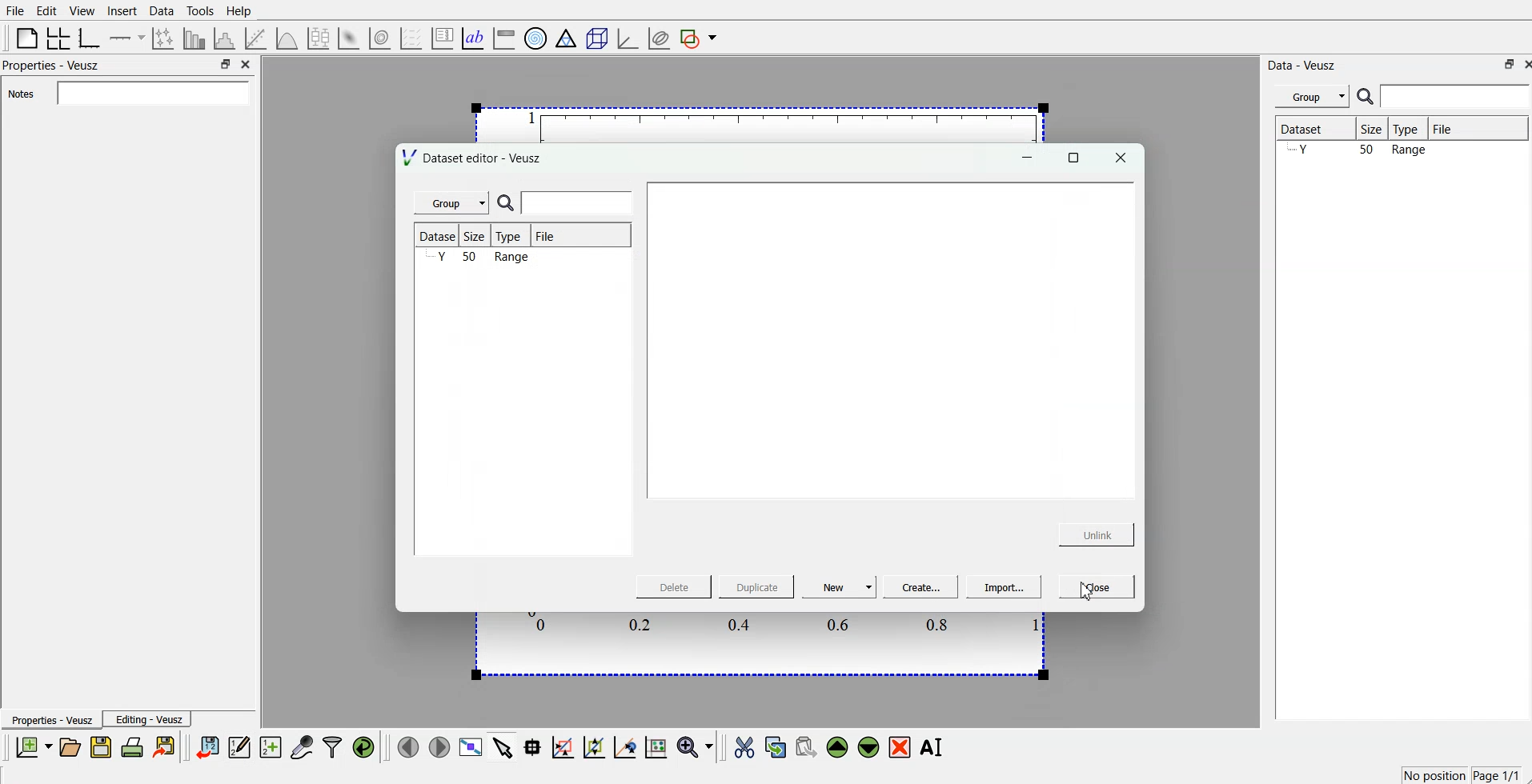 This screenshot has height=784, width=1532. Describe the element at coordinates (756, 587) in the screenshot. I see `Duplicate` at that location.